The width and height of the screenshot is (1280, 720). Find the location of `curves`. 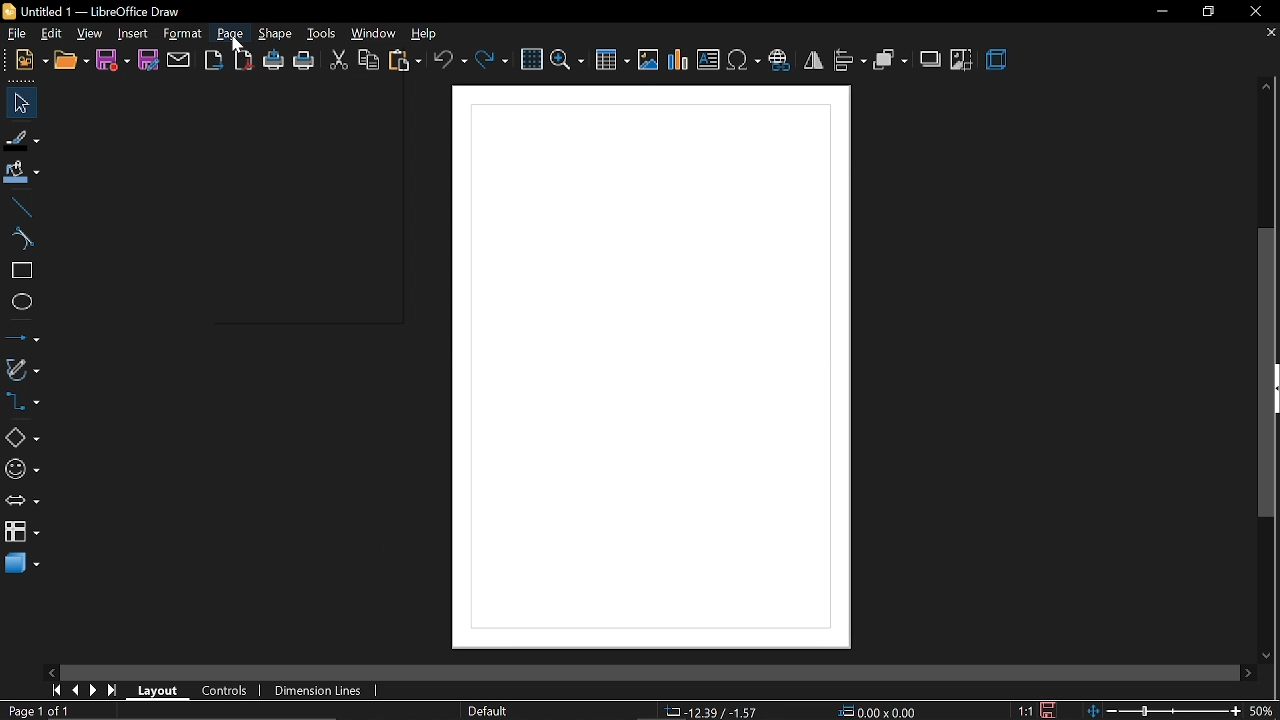

curves is located at coordinates (22, 241).